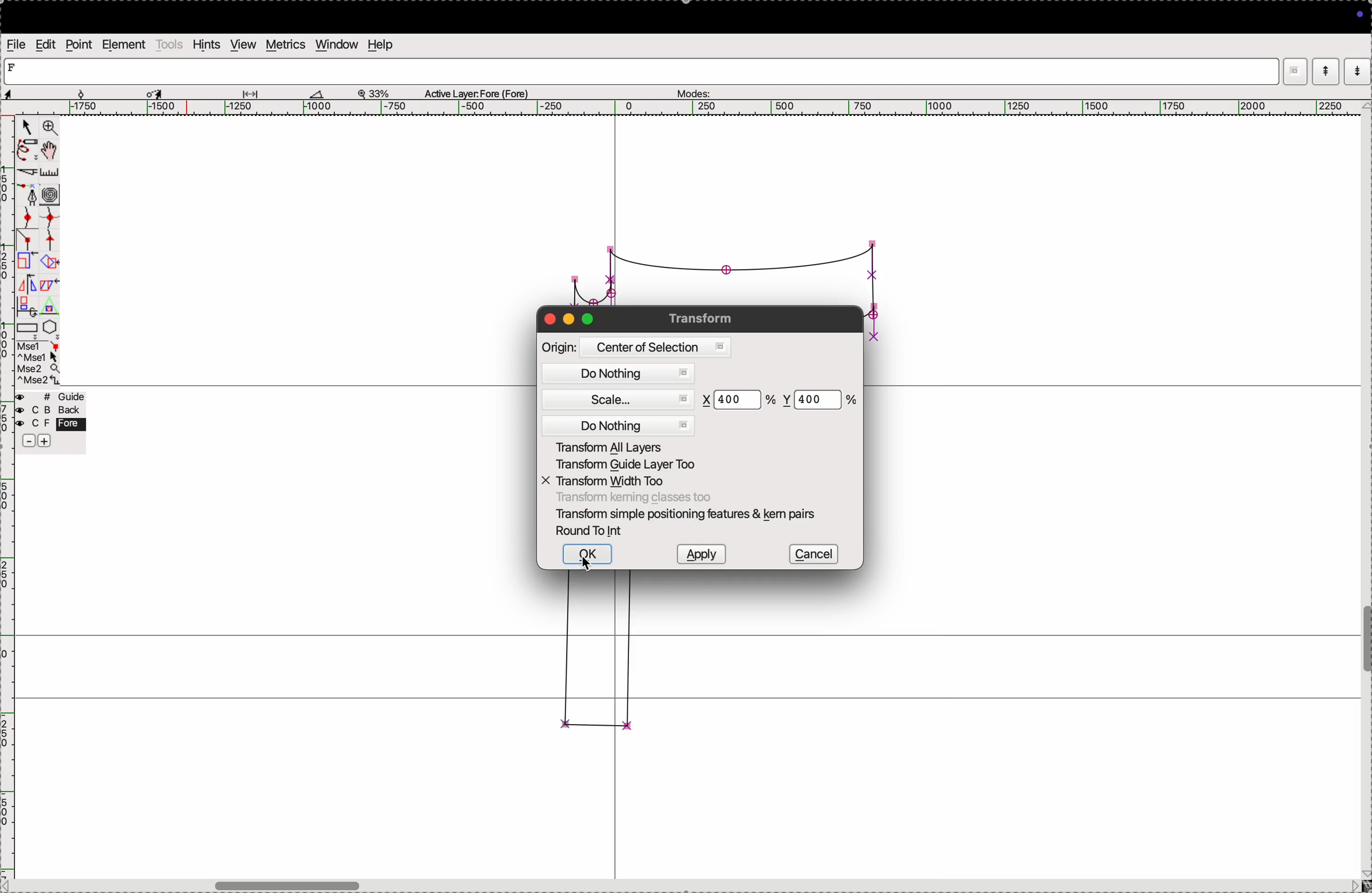 Image resolution: width=1372 pixels, height=893 pixels. Describe the element at coordinates (337, 44) in the screenshot. I see `window` at that location.